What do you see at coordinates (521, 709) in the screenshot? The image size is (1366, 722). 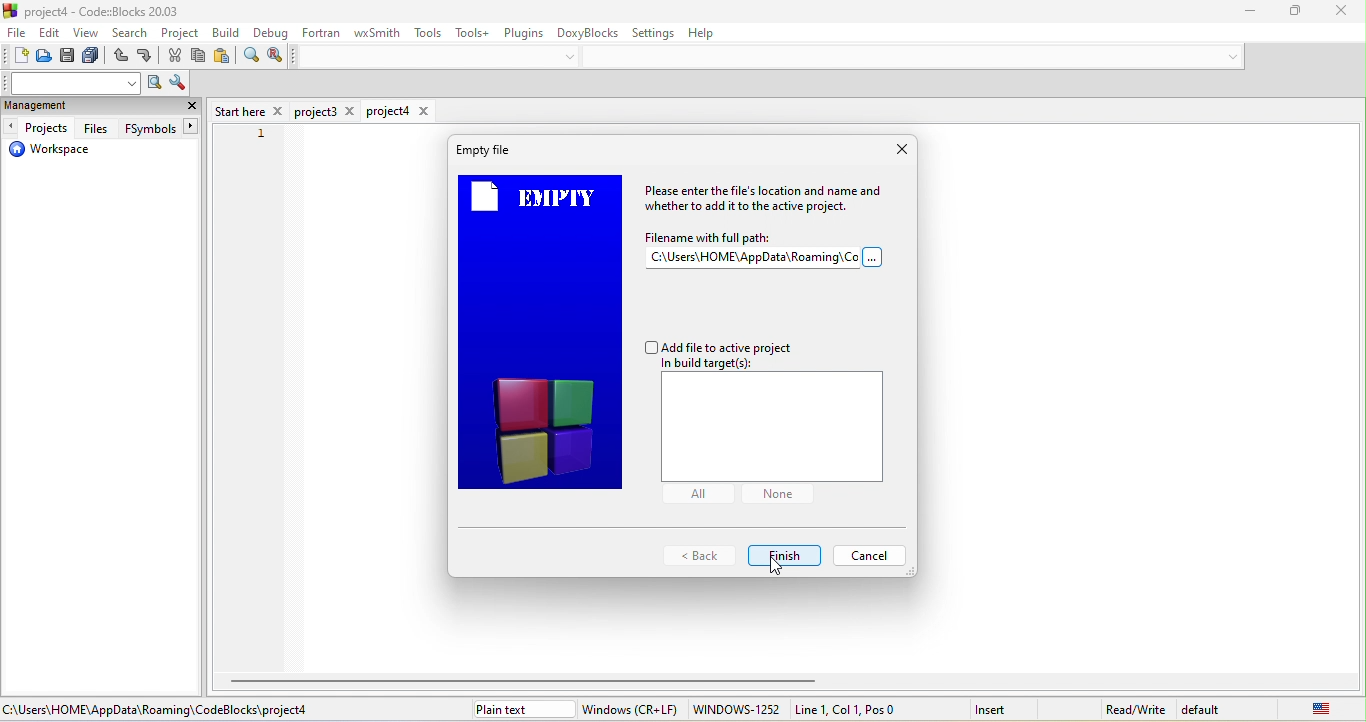 I see `plain text` at bounding box center [521, 709].